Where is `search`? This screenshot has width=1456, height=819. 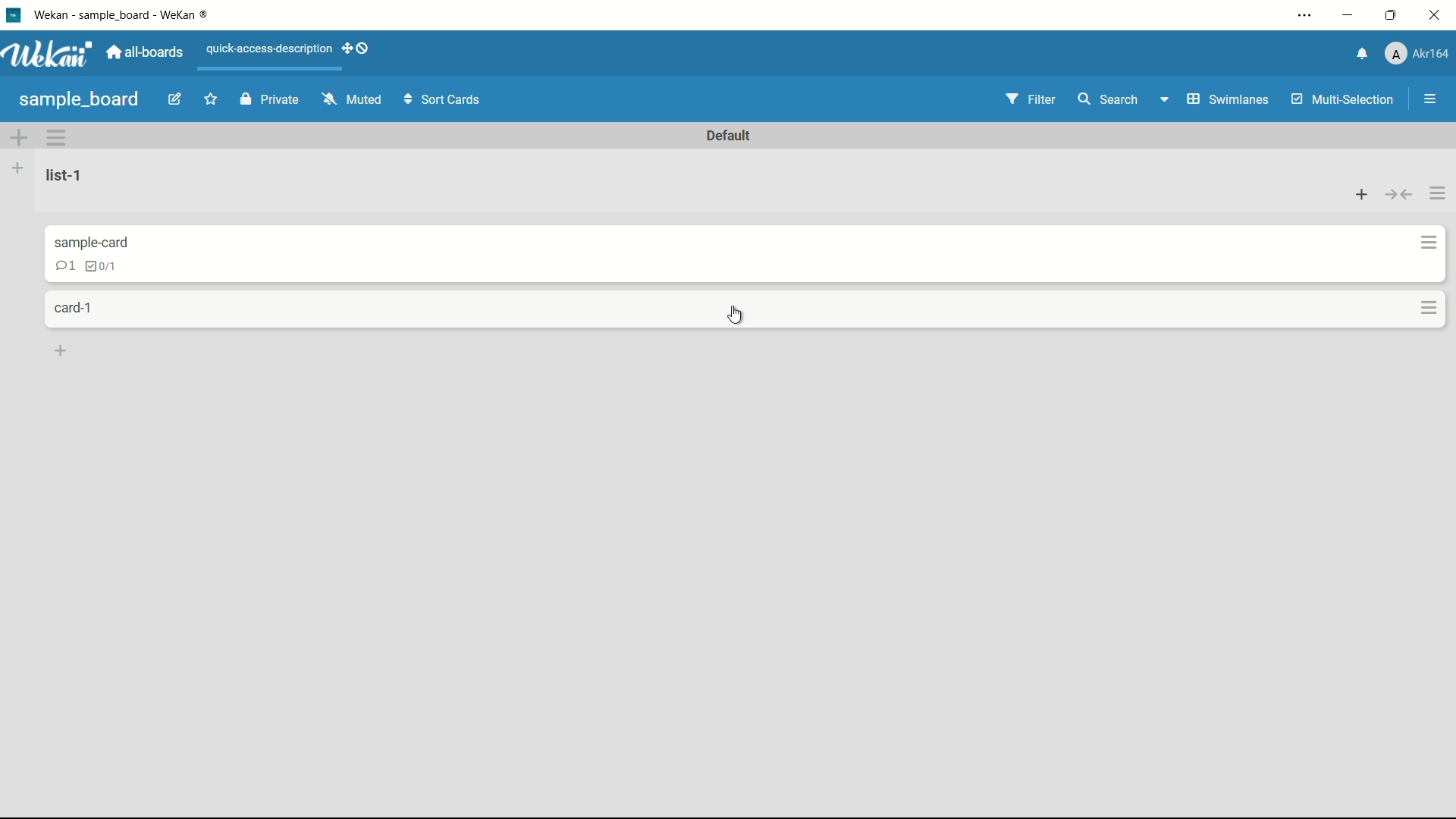 search is located at coordinates (1108, 100).